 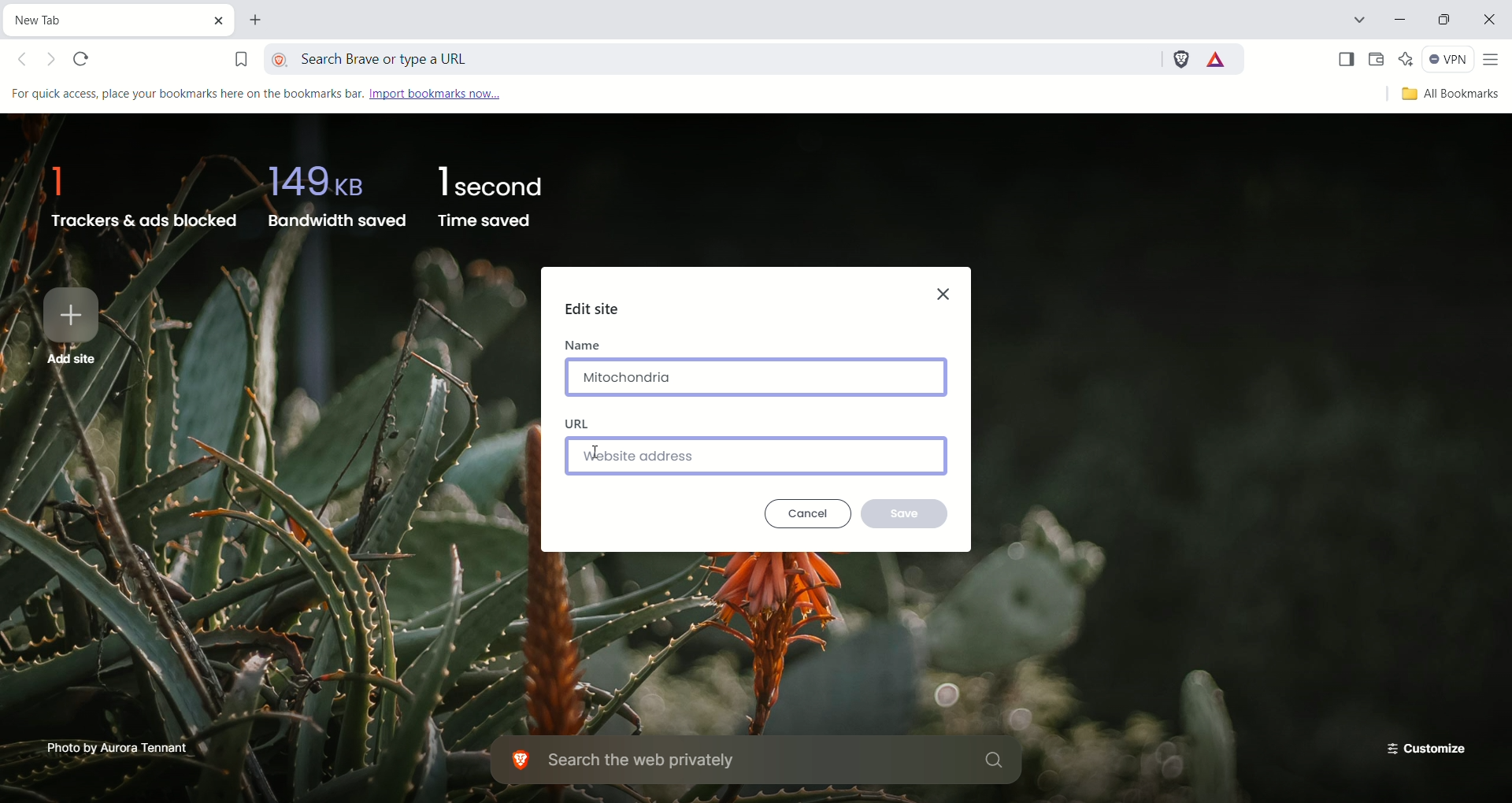 What do you see at coordinates (577, 424) in the screenshot?
I see `URL` at bounding box center [577, 424].